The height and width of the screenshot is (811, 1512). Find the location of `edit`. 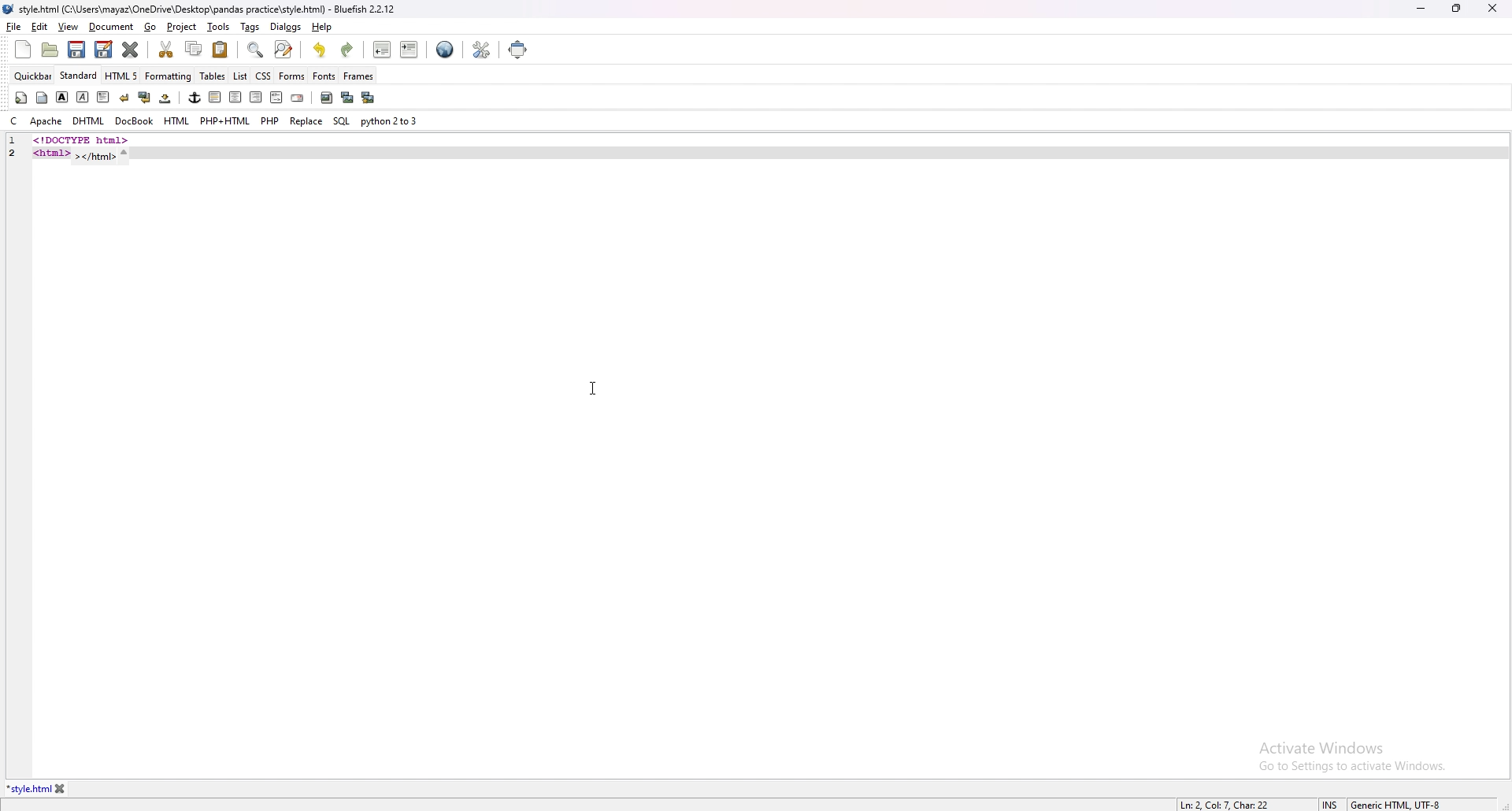

edit is located at coordinates (40, 27).